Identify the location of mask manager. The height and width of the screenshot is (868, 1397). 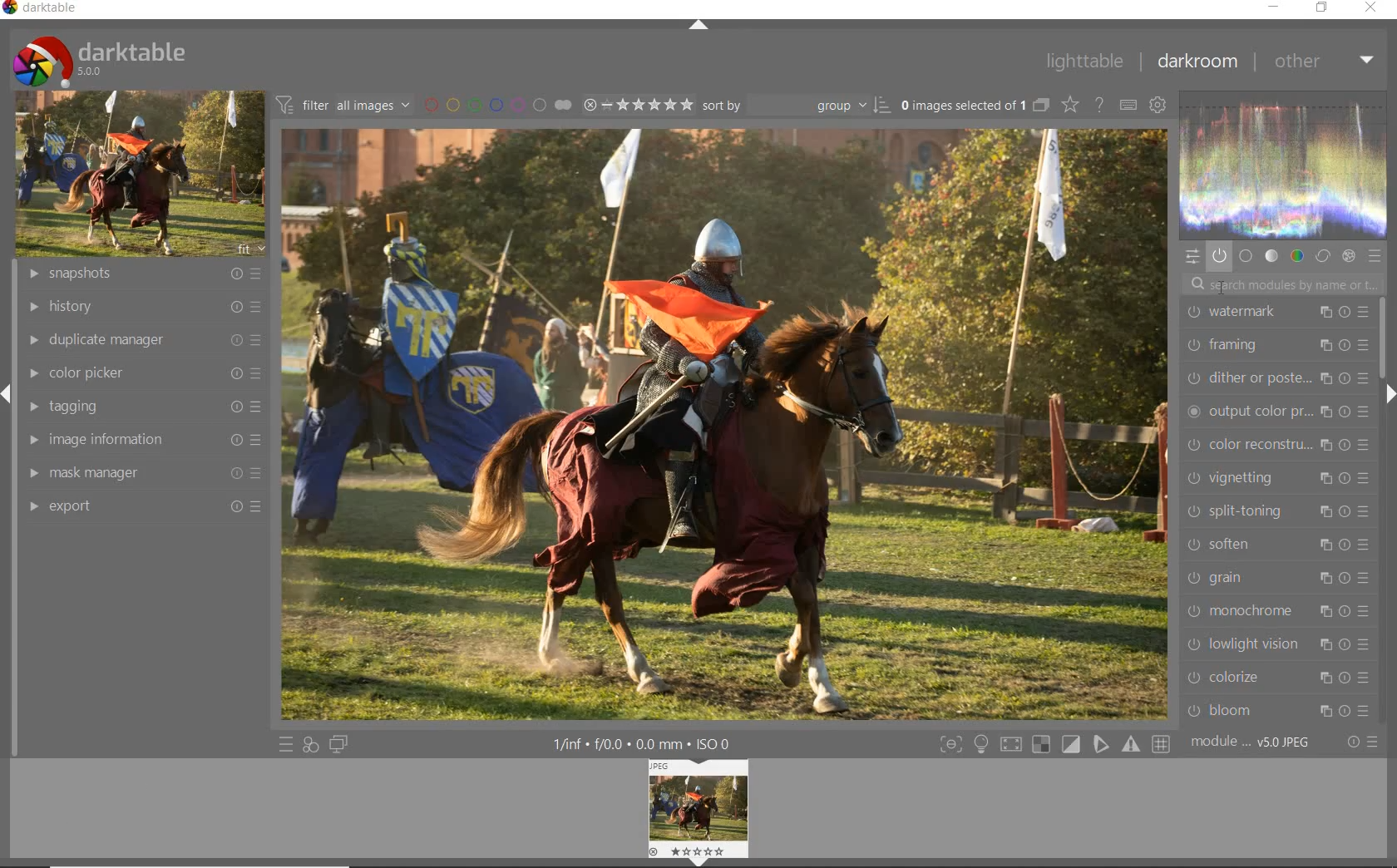
(141, 475).